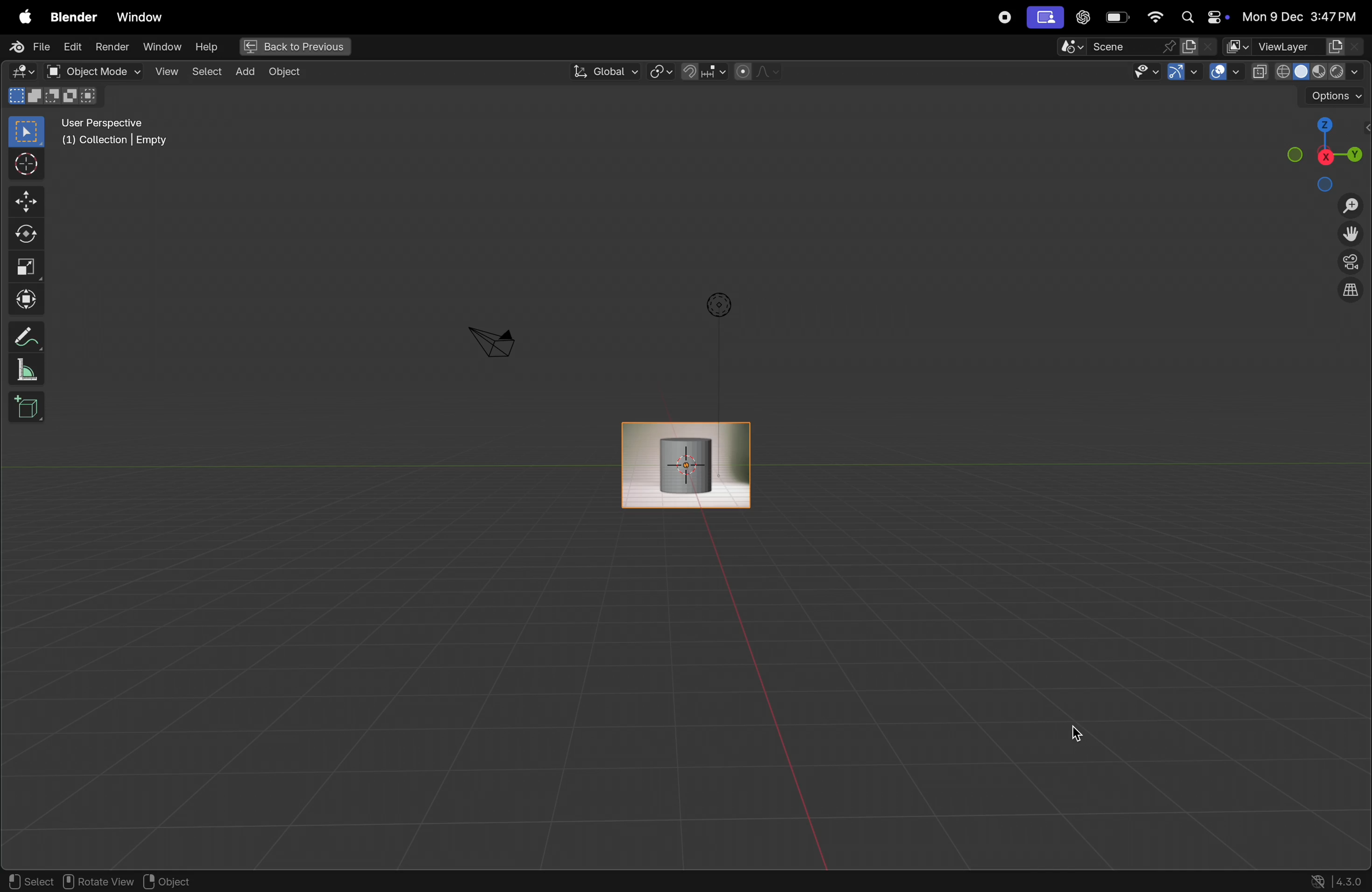 The width and height of the screenshot is (1372, 892). What do you see at coordinates (26, 47) in the screenshot?
I see `File` at bounding box center [26, 47].